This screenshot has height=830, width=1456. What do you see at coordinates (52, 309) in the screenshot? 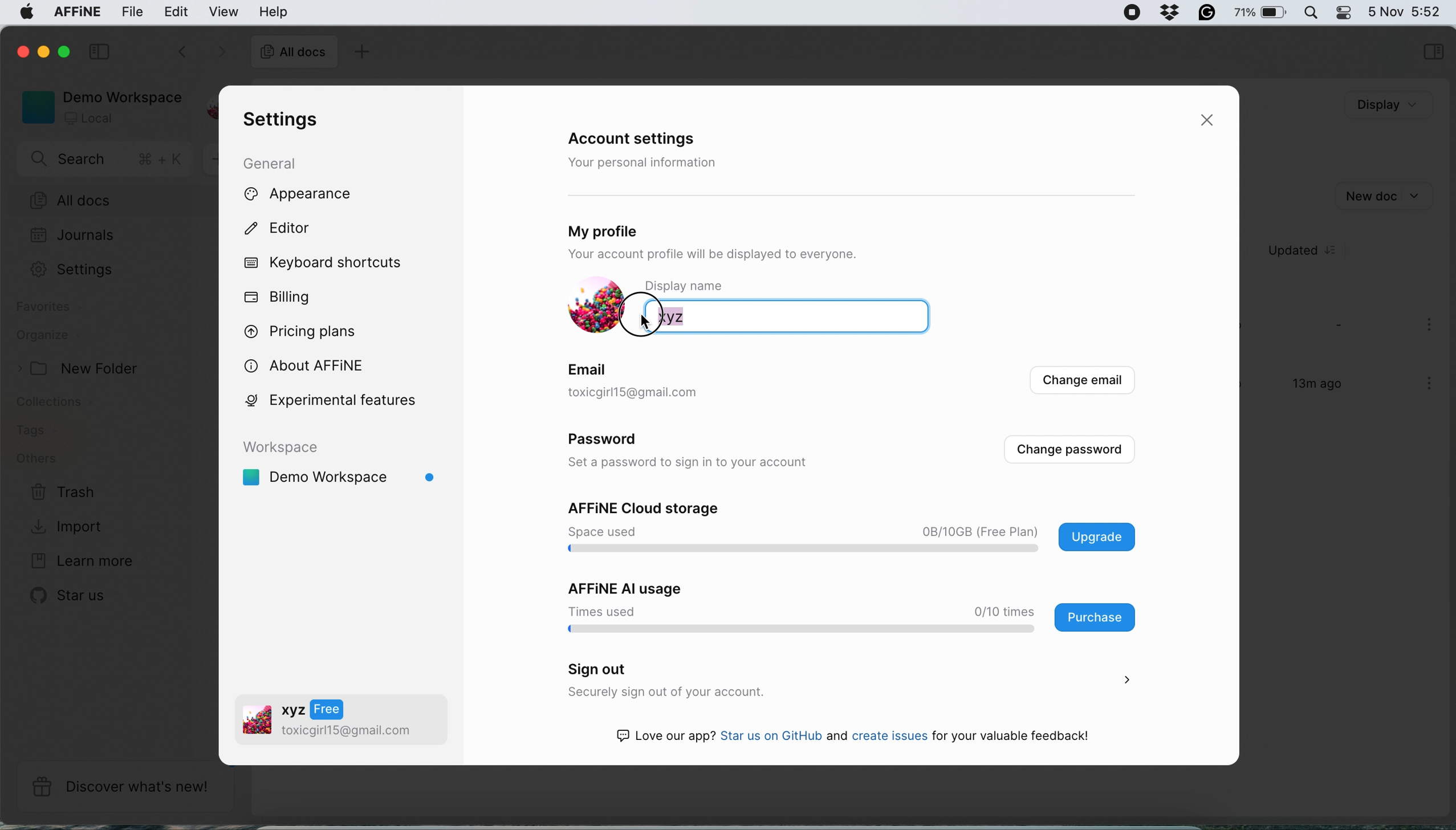
I see `favourites` at bounding box center [52, 309].